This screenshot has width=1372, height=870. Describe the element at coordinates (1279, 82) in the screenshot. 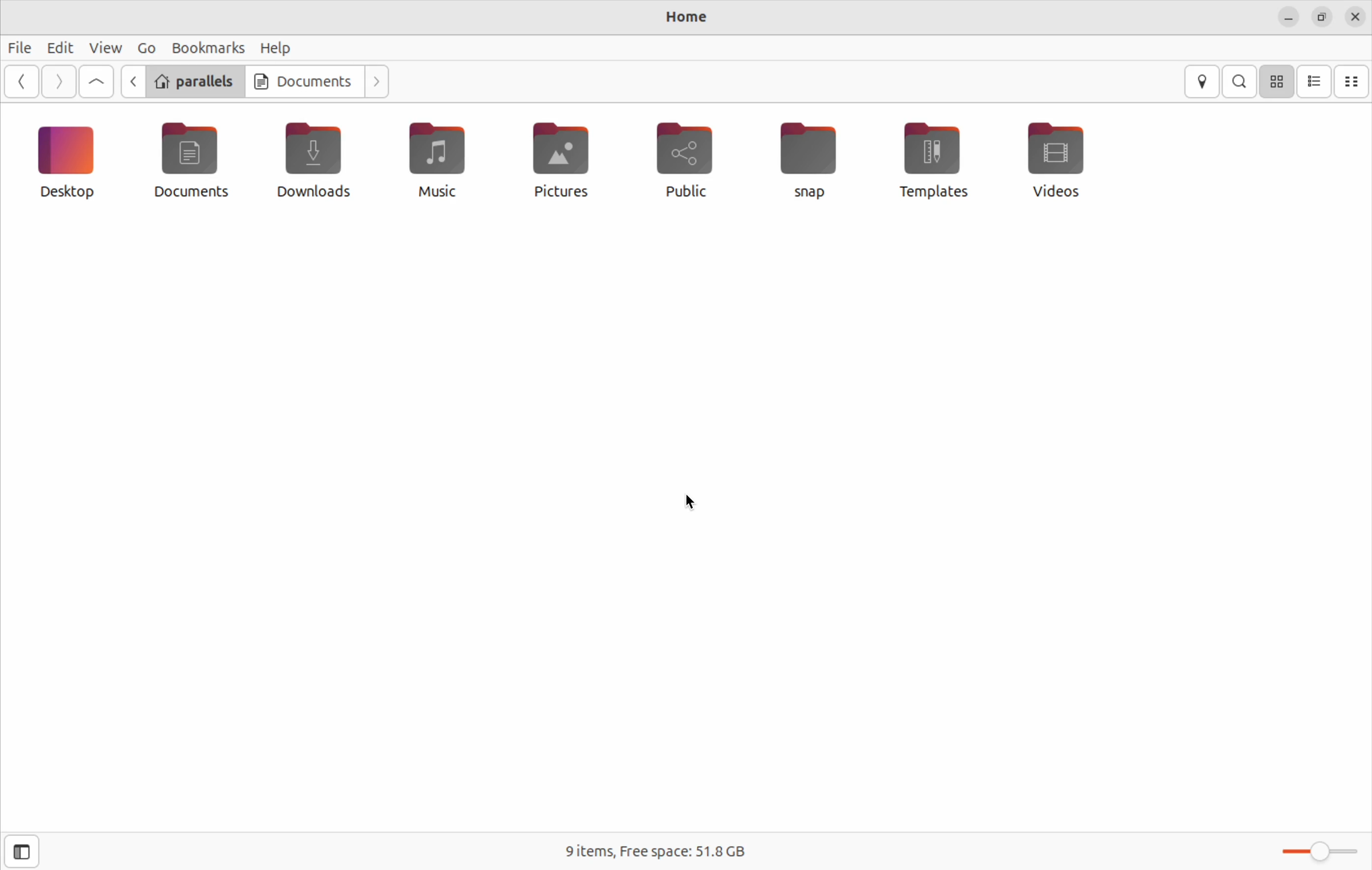

I see `icon view` at that location.